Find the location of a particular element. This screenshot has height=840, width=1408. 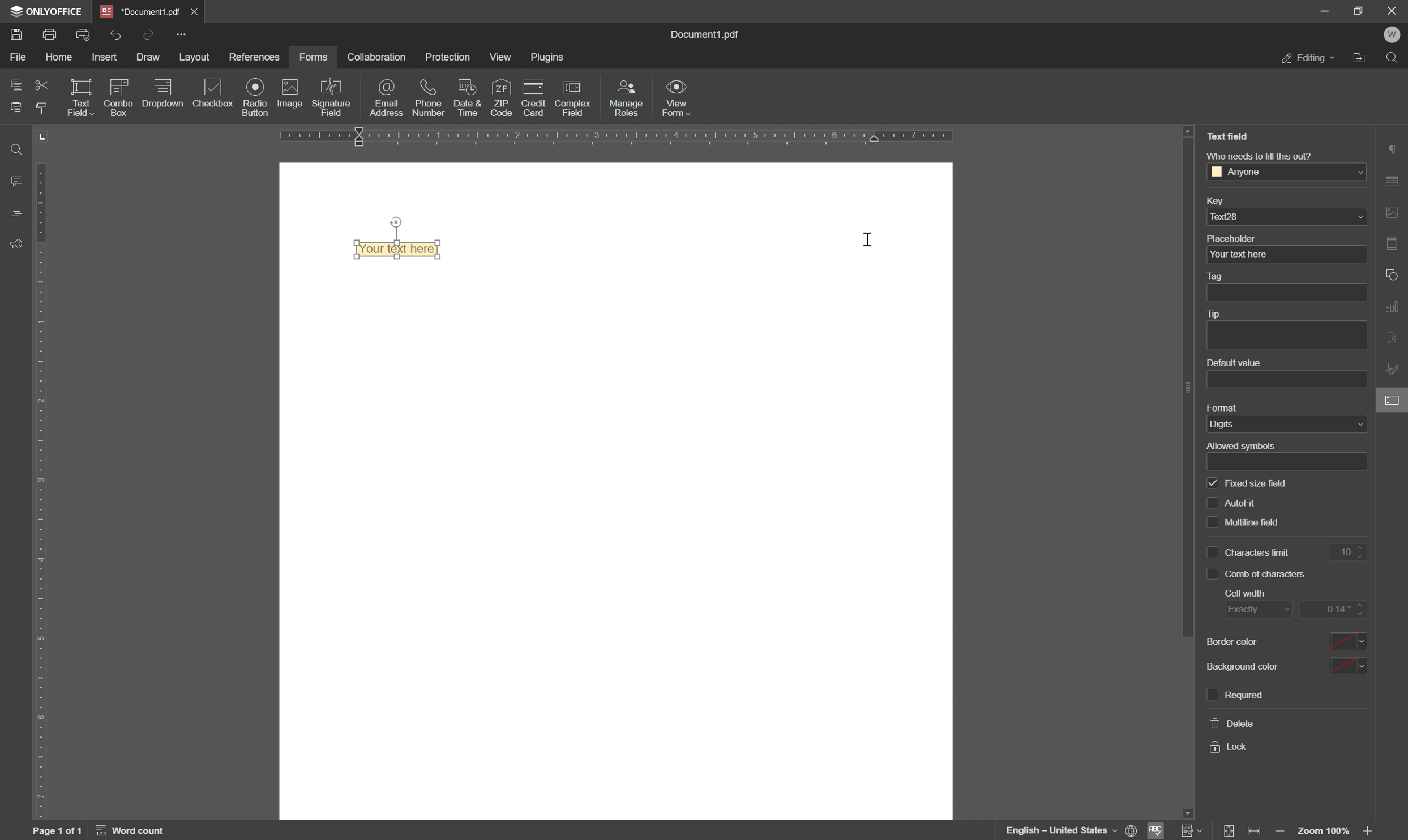

combo box is located at coordinates (118, 109).